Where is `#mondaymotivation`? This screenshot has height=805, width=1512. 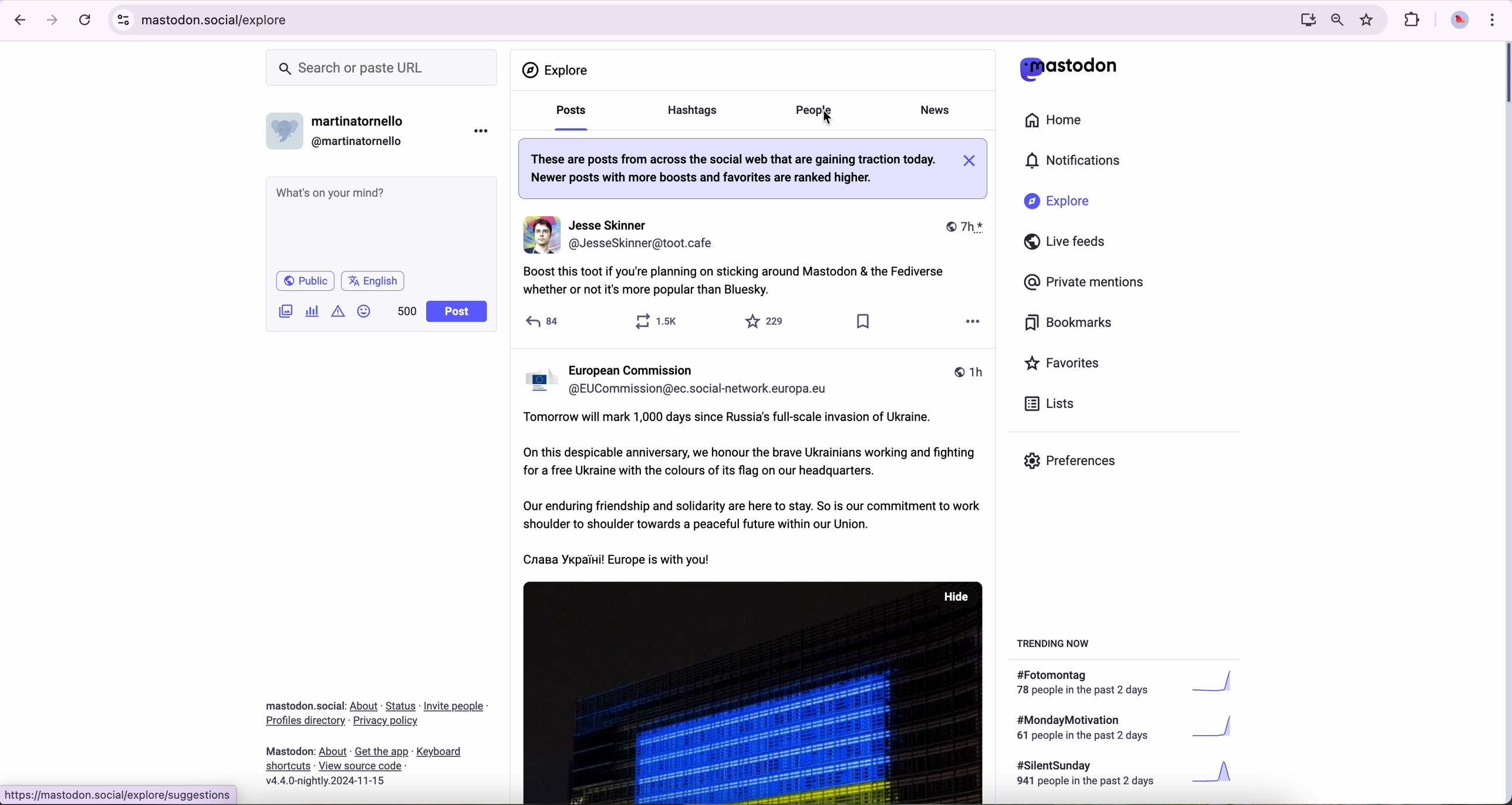 #mondaymotivation is located at coordinates (1123, 727).